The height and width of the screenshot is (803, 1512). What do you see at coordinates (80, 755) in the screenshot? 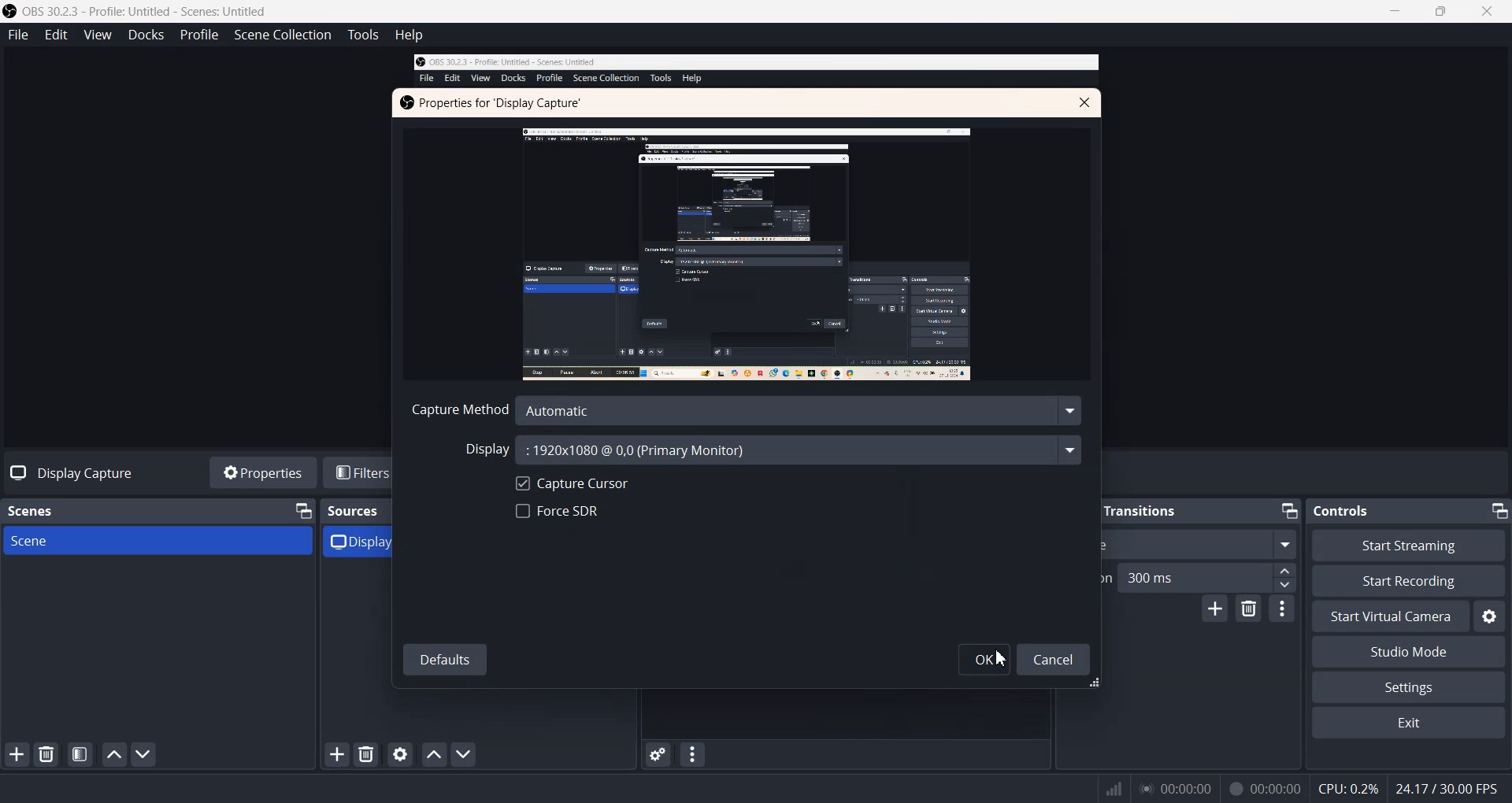
I see `Open scene Filter` at bounding box center [80, 755].